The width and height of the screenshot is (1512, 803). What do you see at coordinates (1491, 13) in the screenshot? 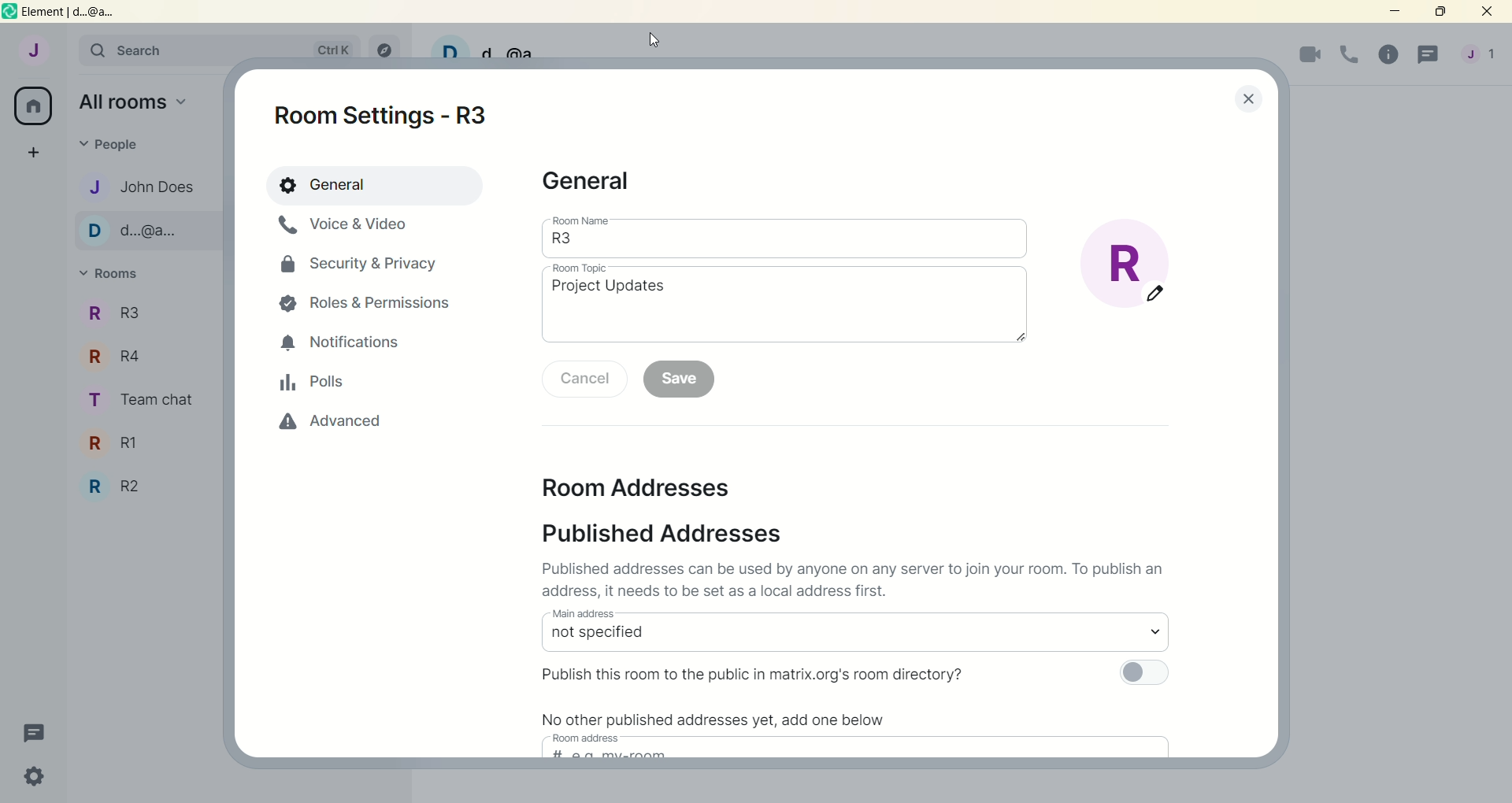
I see `close` at bounding box center [1491, 13].